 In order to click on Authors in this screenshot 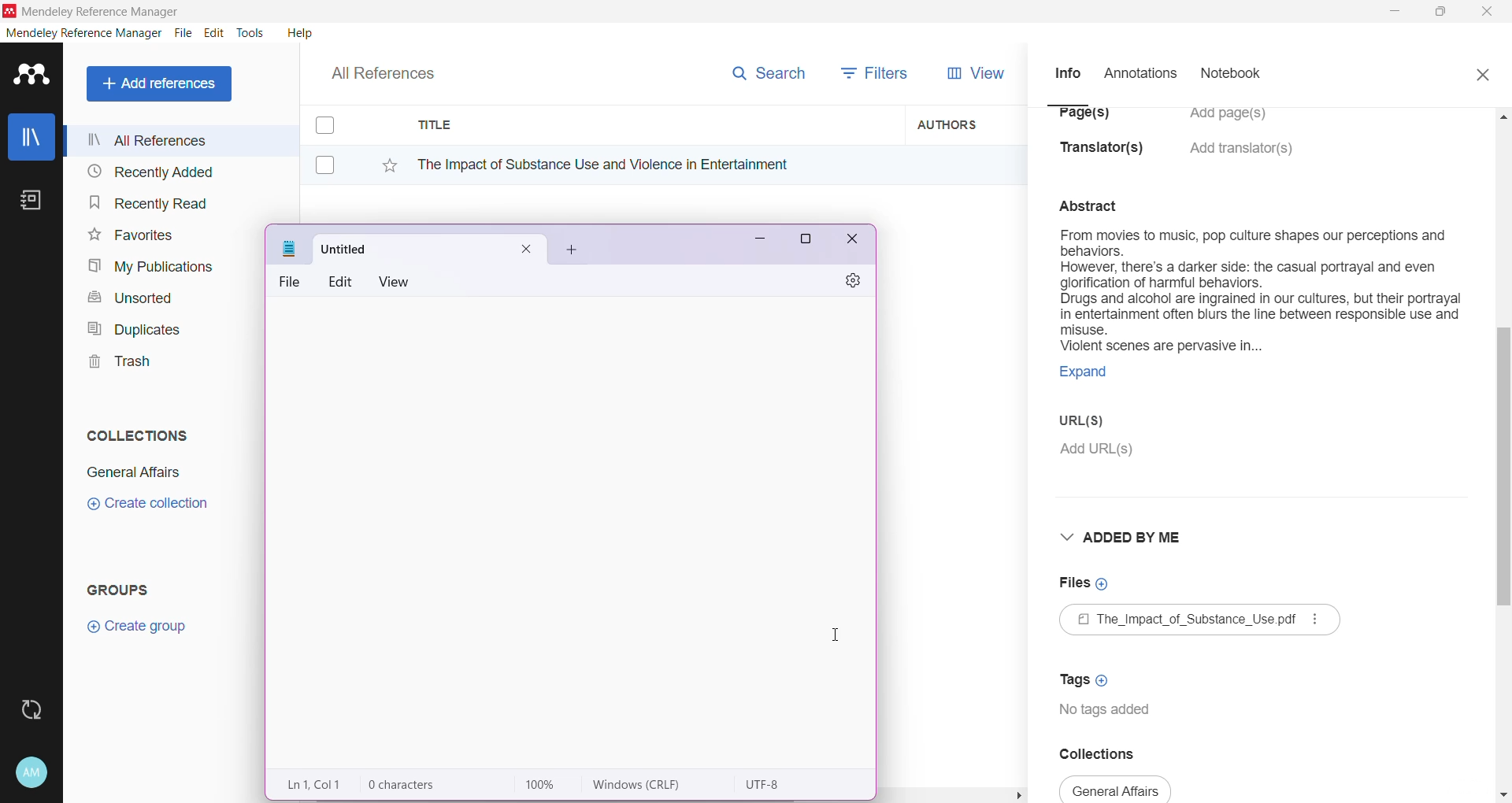, I will do `click(966, 124)`.